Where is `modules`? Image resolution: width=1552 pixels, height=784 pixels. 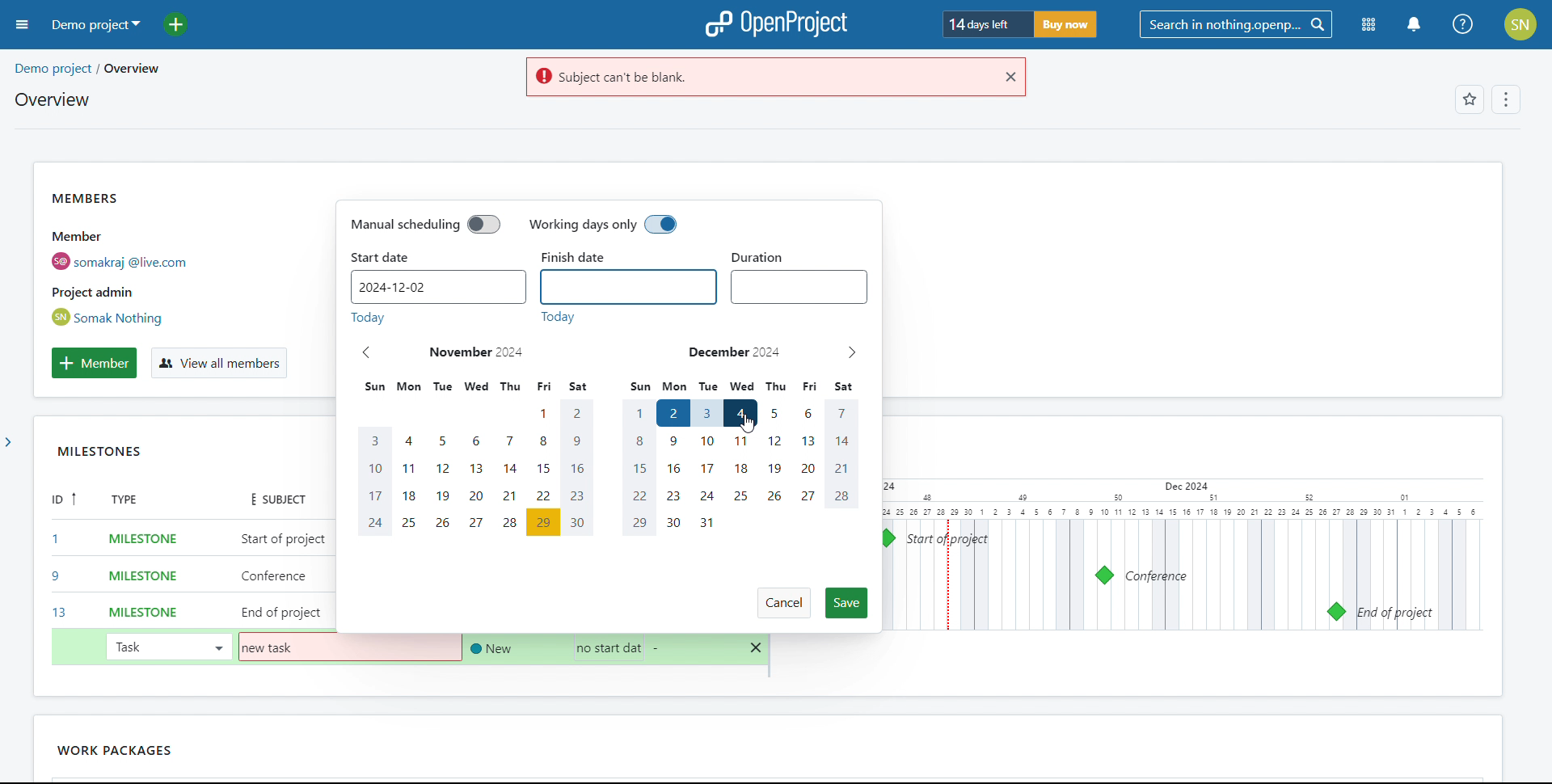 modules is located at coordinates (1369, 26).